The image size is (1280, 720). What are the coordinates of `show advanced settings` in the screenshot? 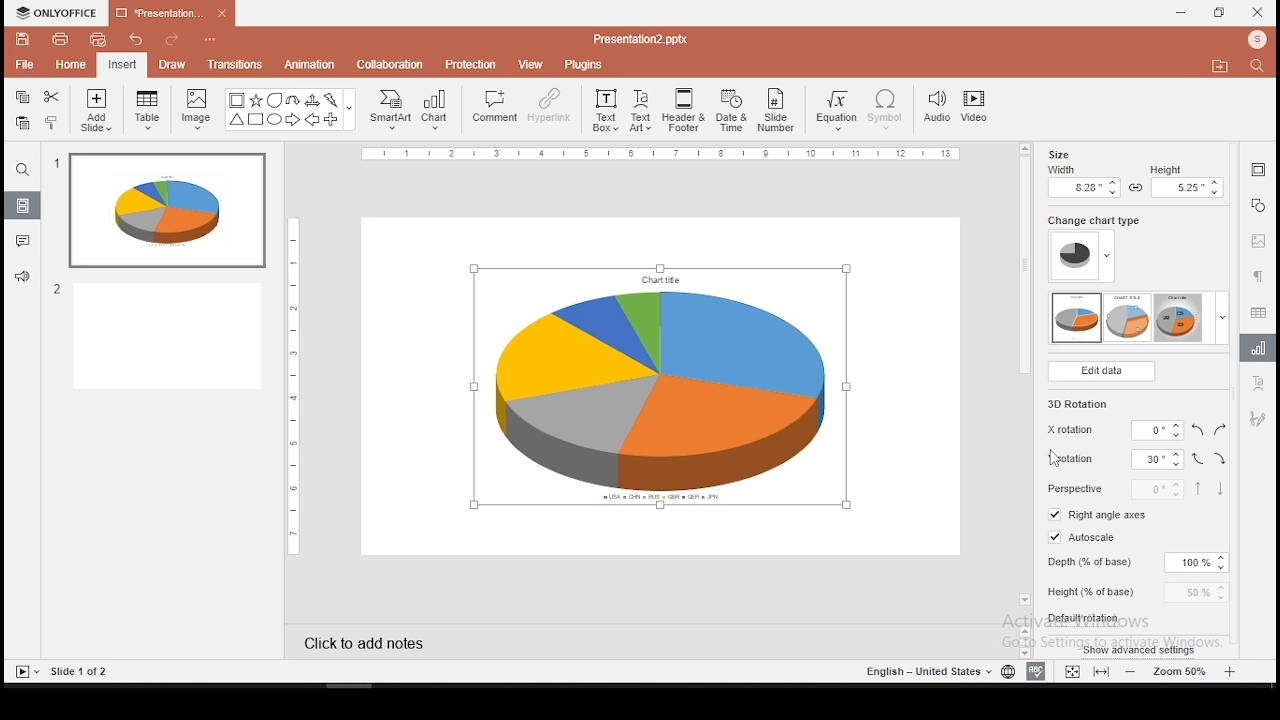 It's located at (1139, 648).